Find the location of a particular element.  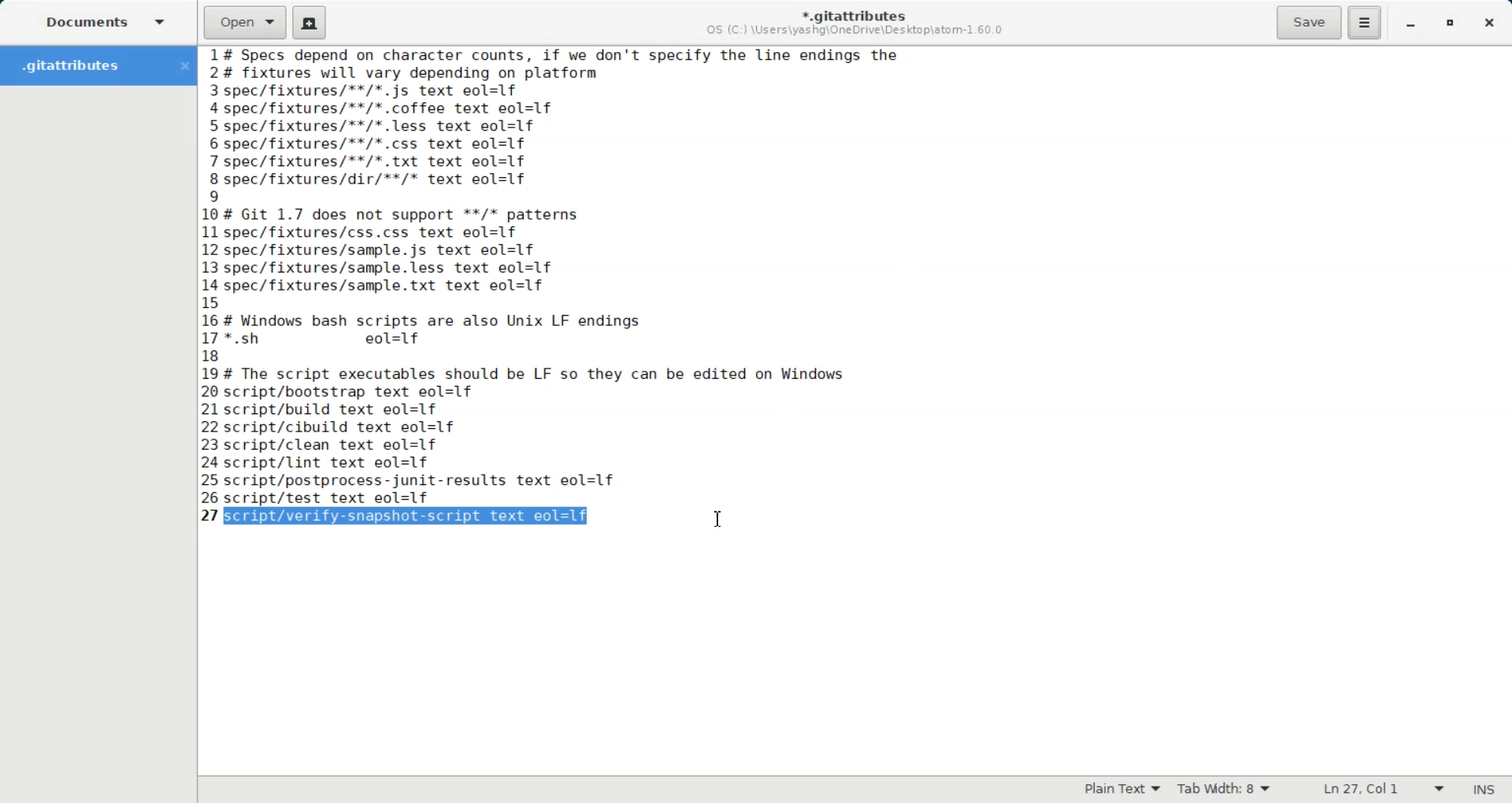

Text Cursor is located at coordinates (718, 517).